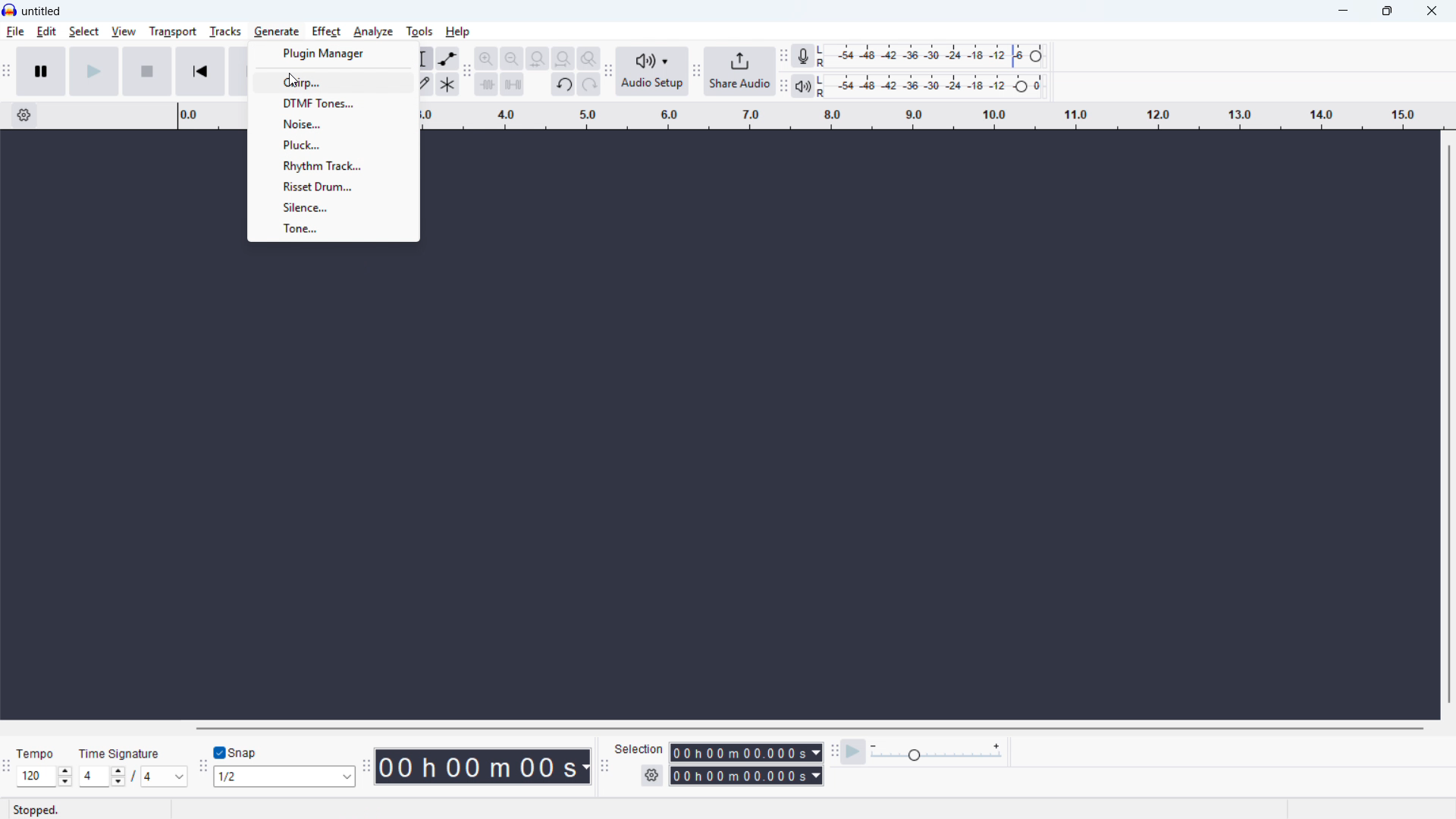  Describe the element at coordinates (333, 123) in the screenshot. I see `Noise ` at that location.